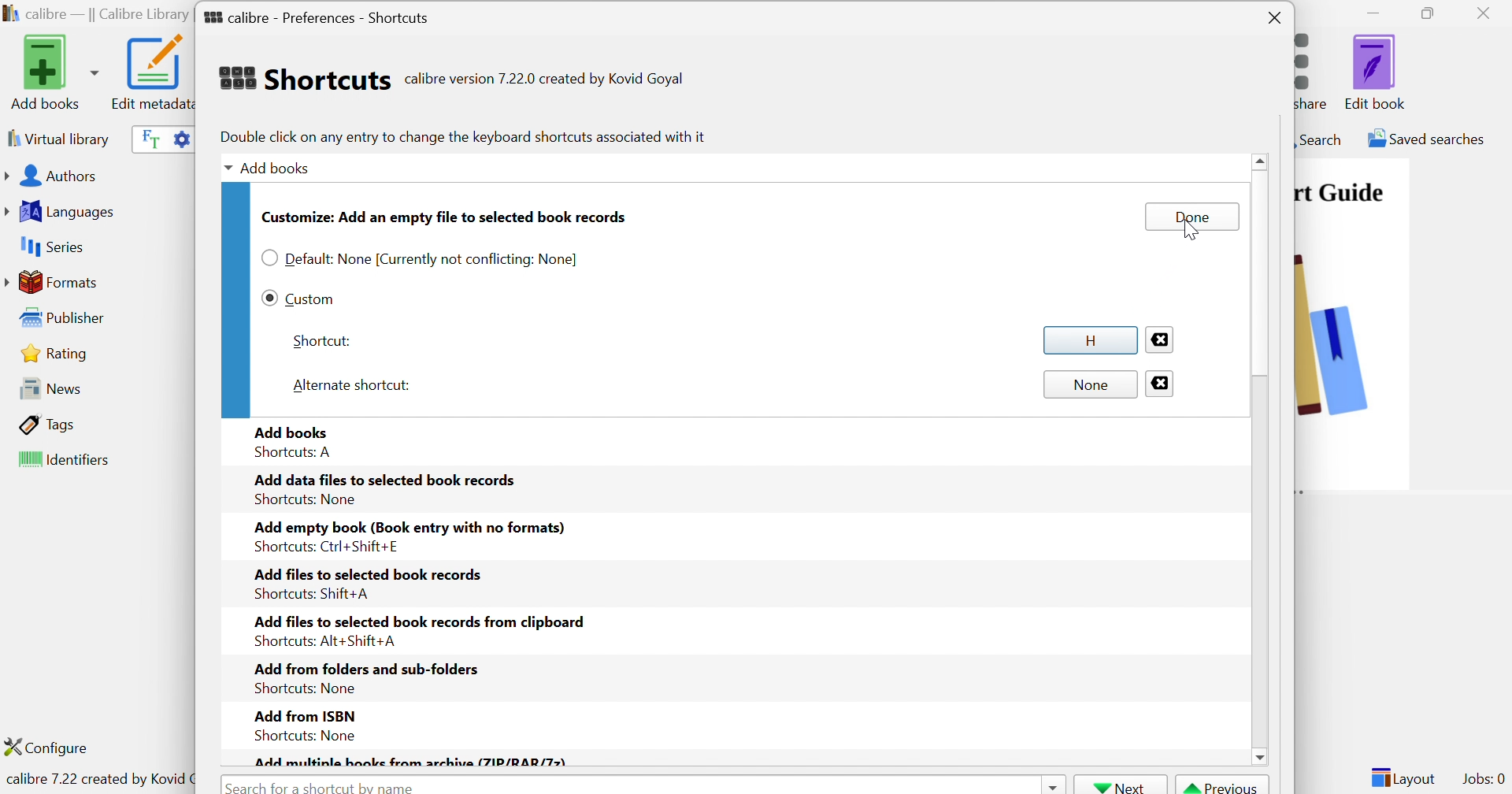 The width and height of the screenshot is (1512, 794). I want to click on Search the full text of all books in the library, not just their metadata, so click(147, 138).